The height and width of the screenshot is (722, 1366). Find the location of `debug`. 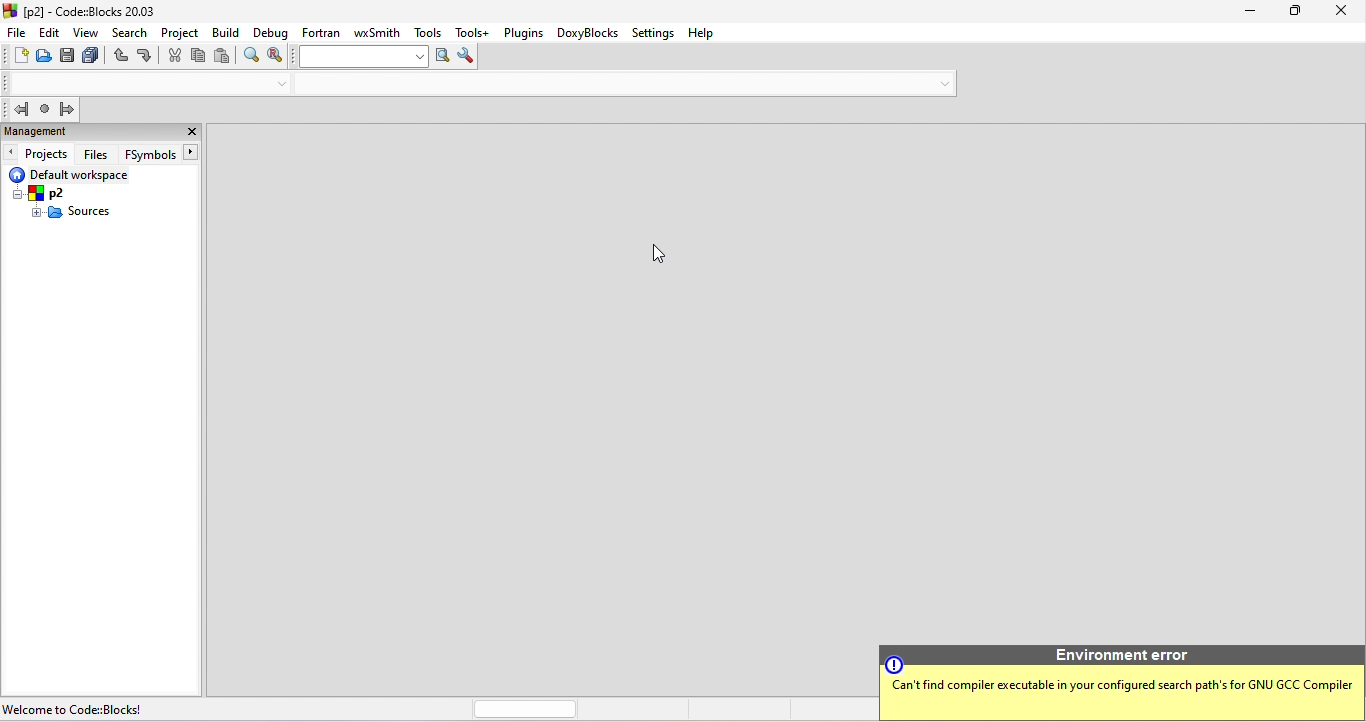

debug is located at coordinates (272, 34).